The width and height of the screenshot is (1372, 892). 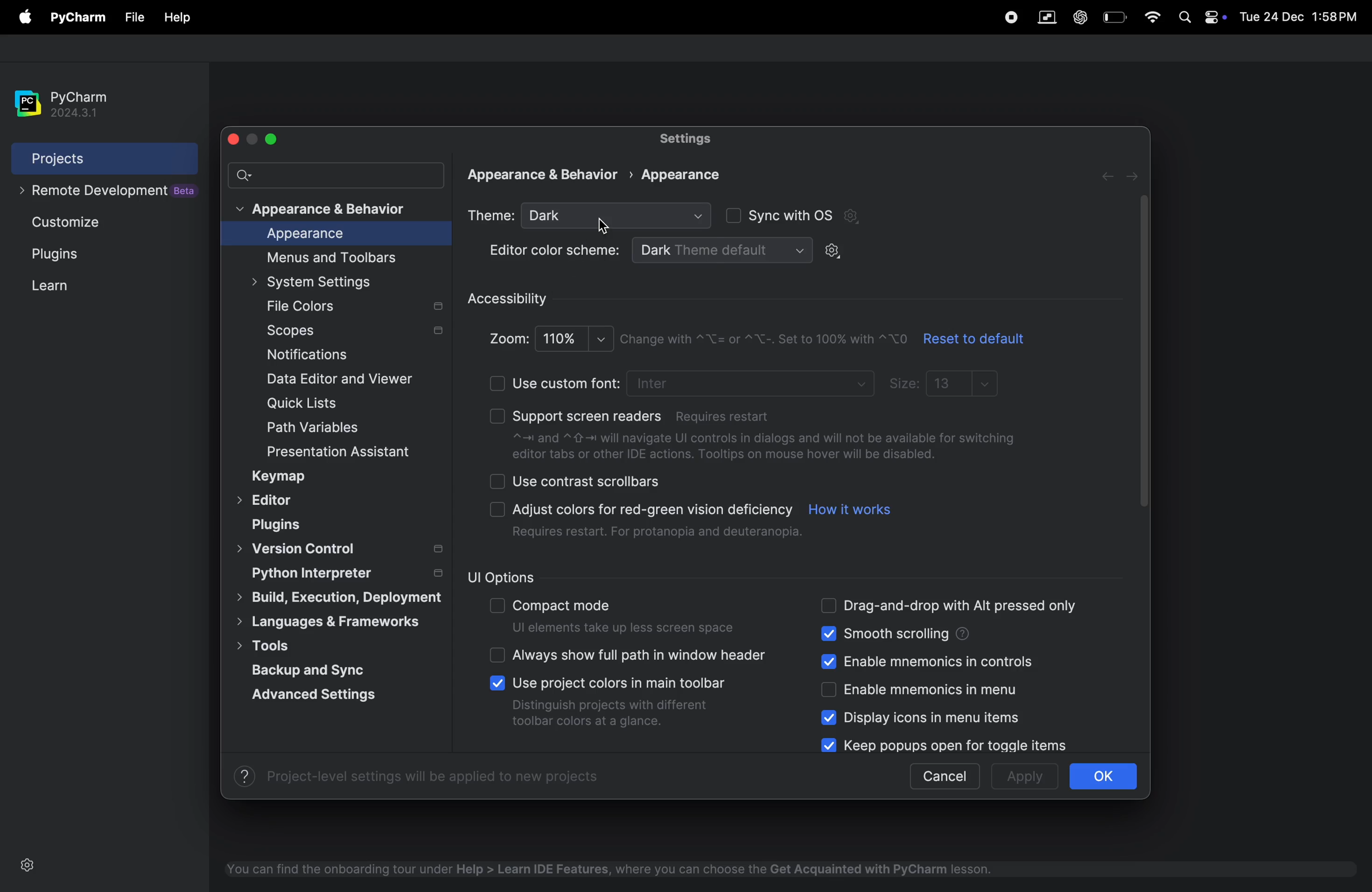 I want to click on theme, so click(x=493, y=216).